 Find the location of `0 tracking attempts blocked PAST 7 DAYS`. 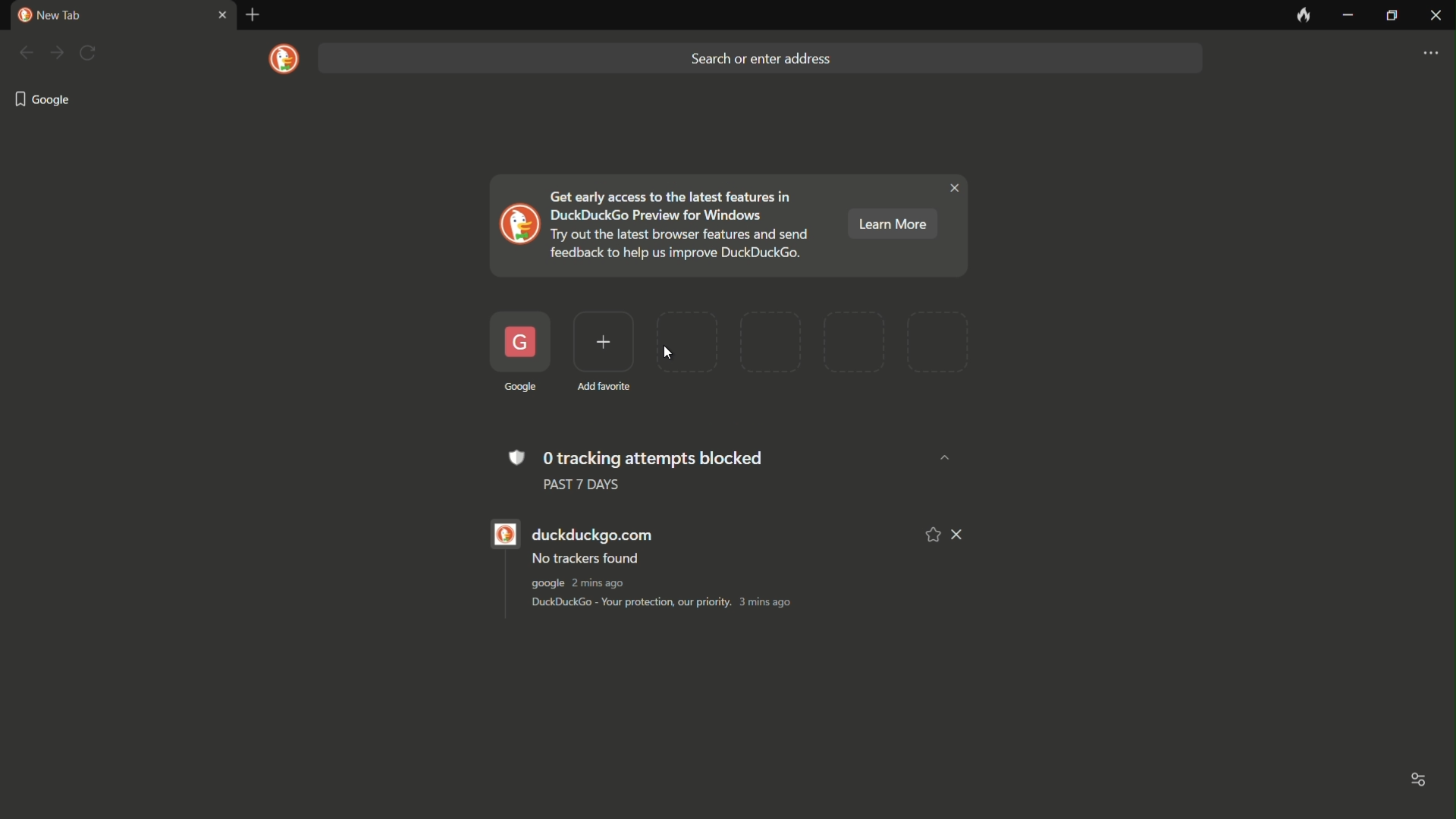

0 tracking attempts blocked PAST 7 DAYS is located at coordinates (740, 464).